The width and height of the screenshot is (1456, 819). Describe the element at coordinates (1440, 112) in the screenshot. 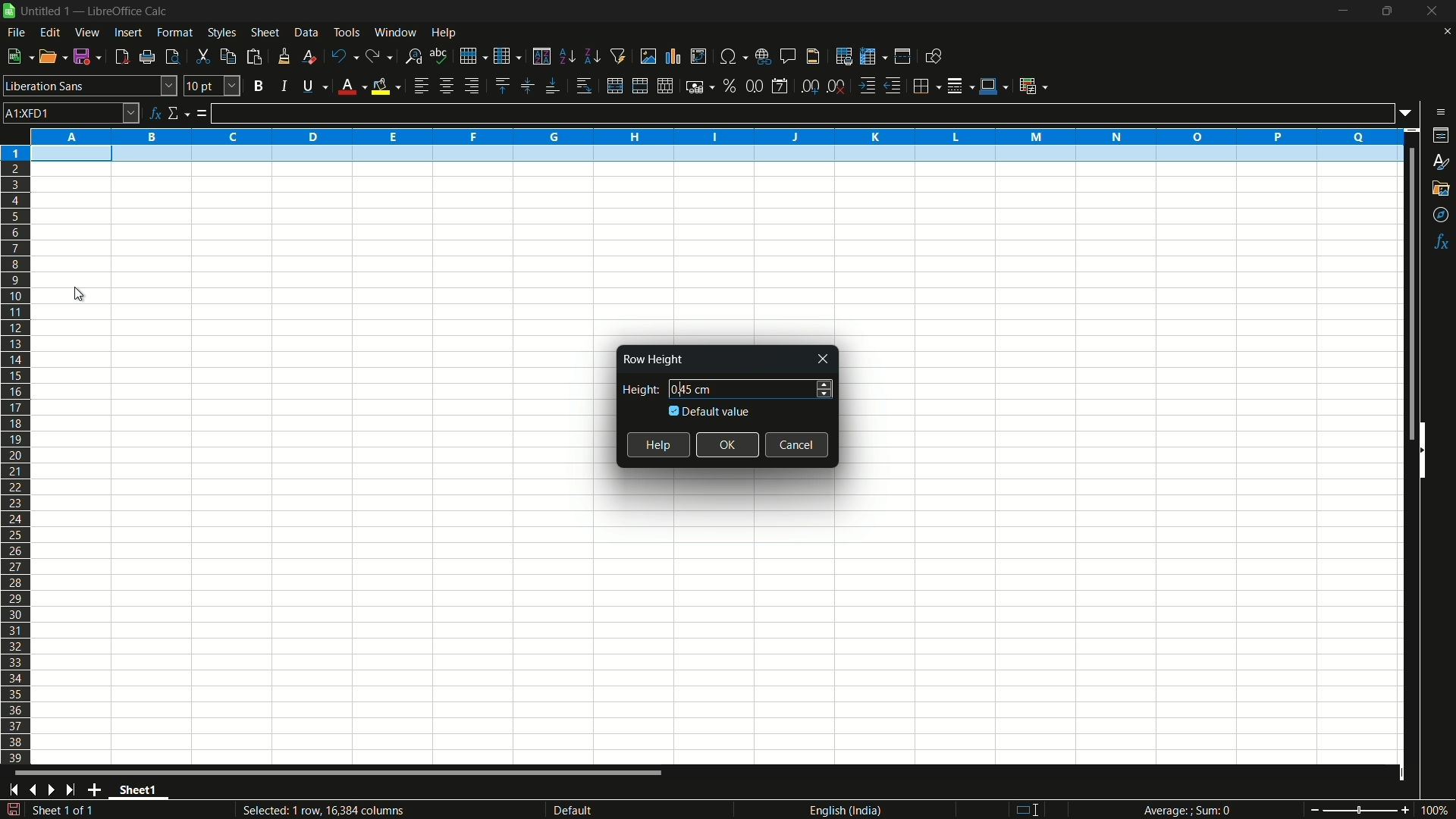

I see `sidebar settings` at that location.